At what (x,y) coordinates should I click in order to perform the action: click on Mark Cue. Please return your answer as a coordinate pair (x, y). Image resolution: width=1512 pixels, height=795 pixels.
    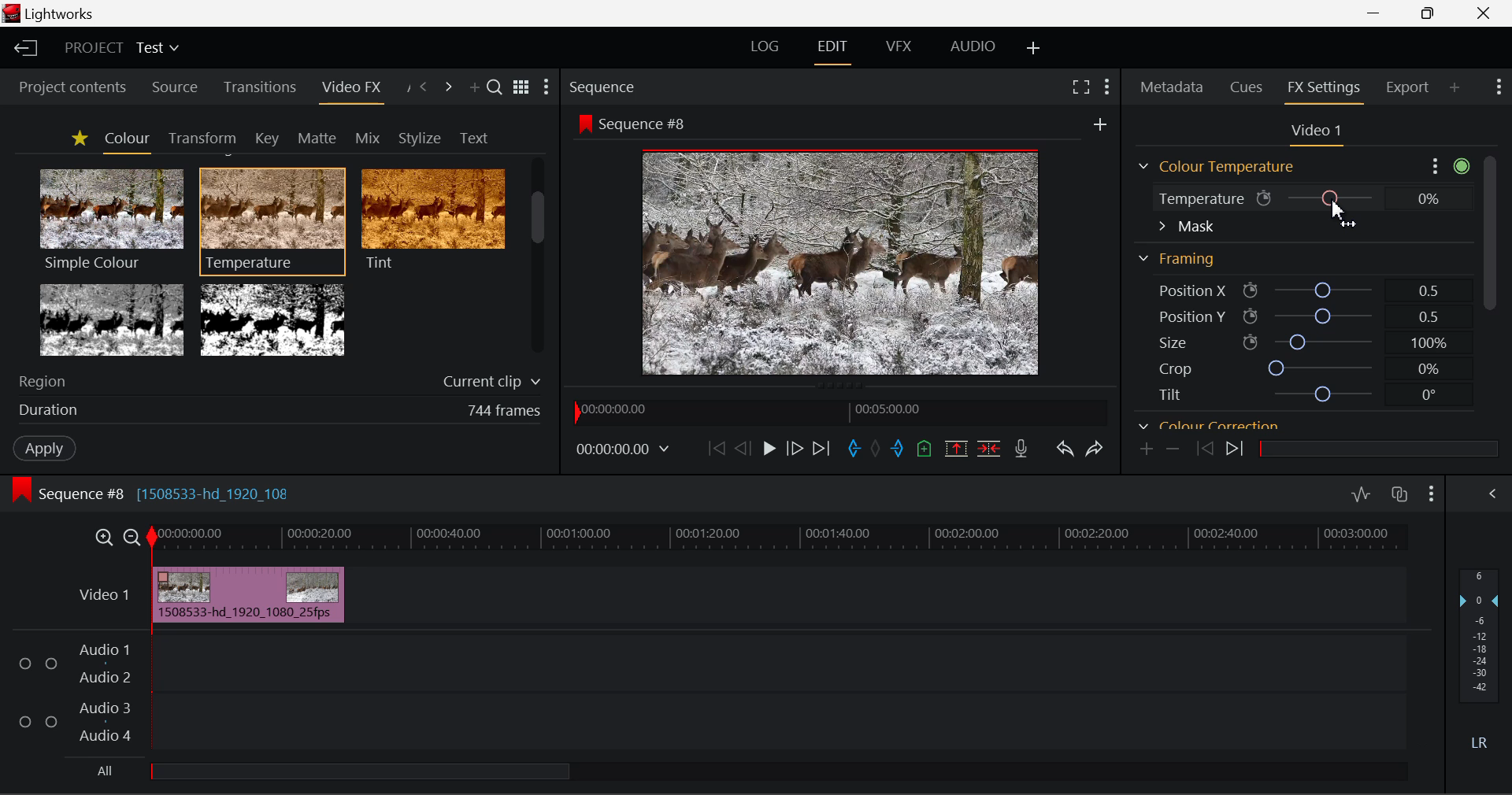
    Looking at the image, I should click on (925, 450).